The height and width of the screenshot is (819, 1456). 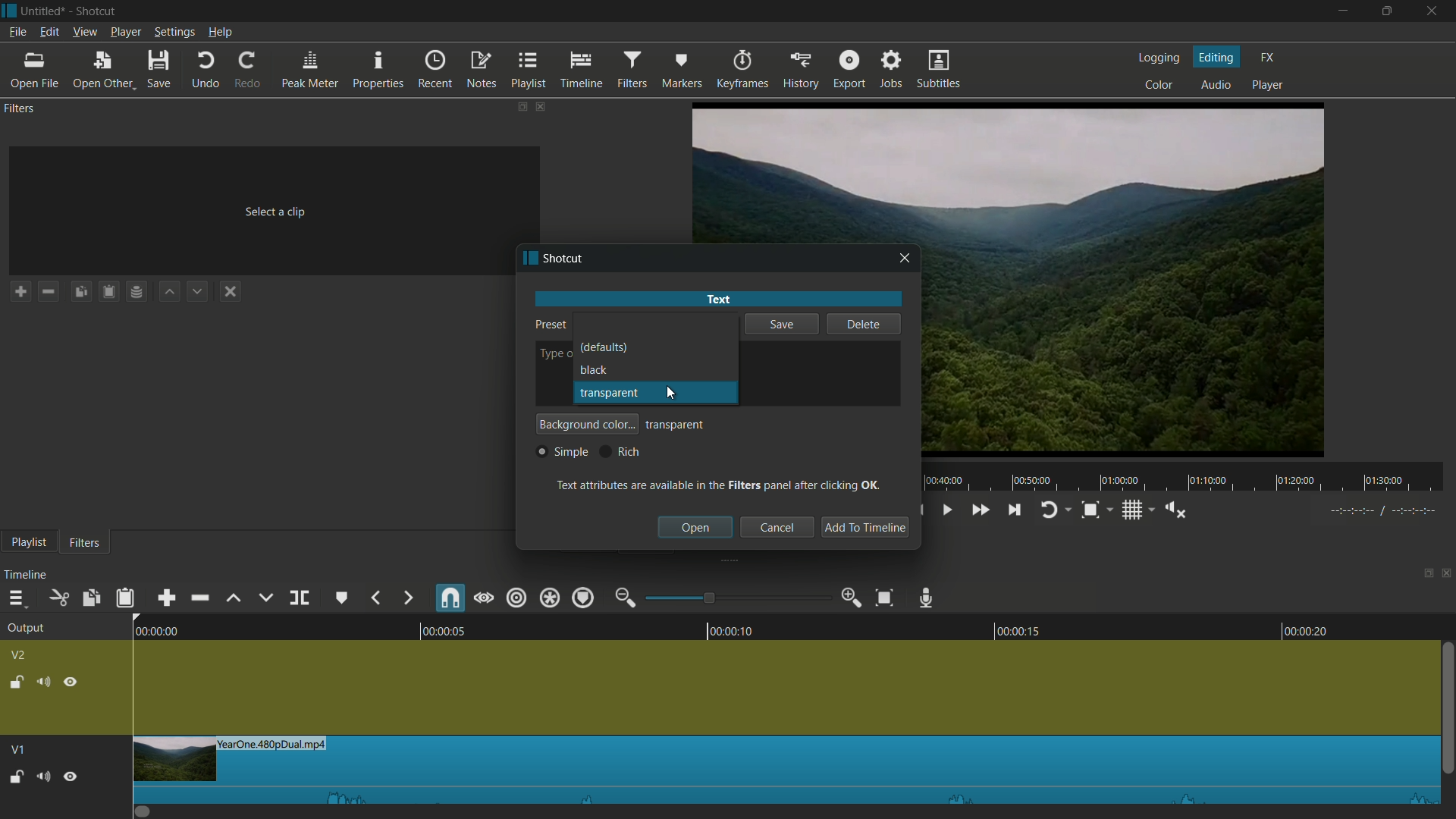 What do you see at coordinates (1216, 84) in the screenshot?
I see `audio` at bounding box center [1216, 84].